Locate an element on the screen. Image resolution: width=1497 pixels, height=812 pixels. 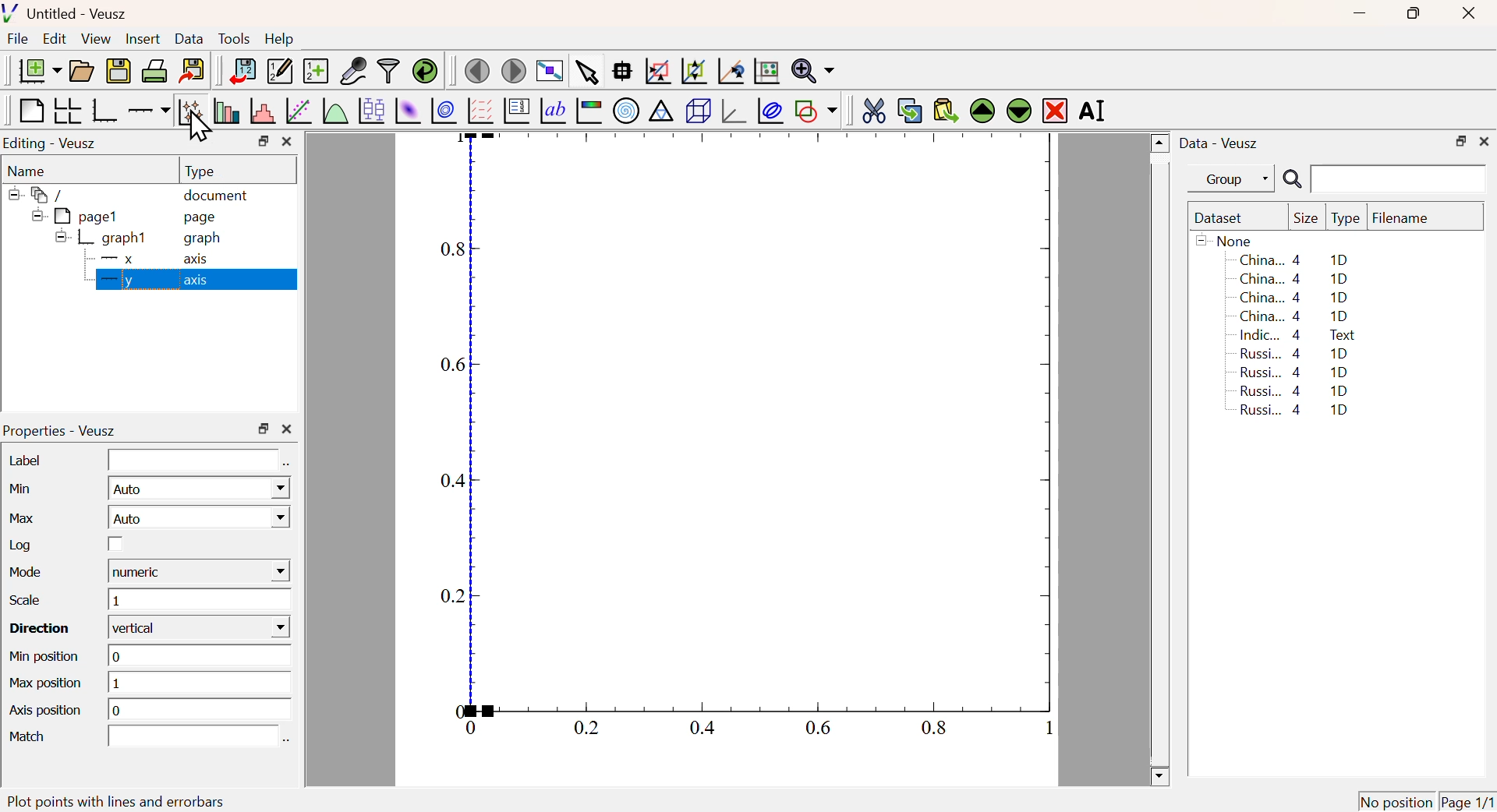
Select using dataset Browser is located at coordinates (287, 740).